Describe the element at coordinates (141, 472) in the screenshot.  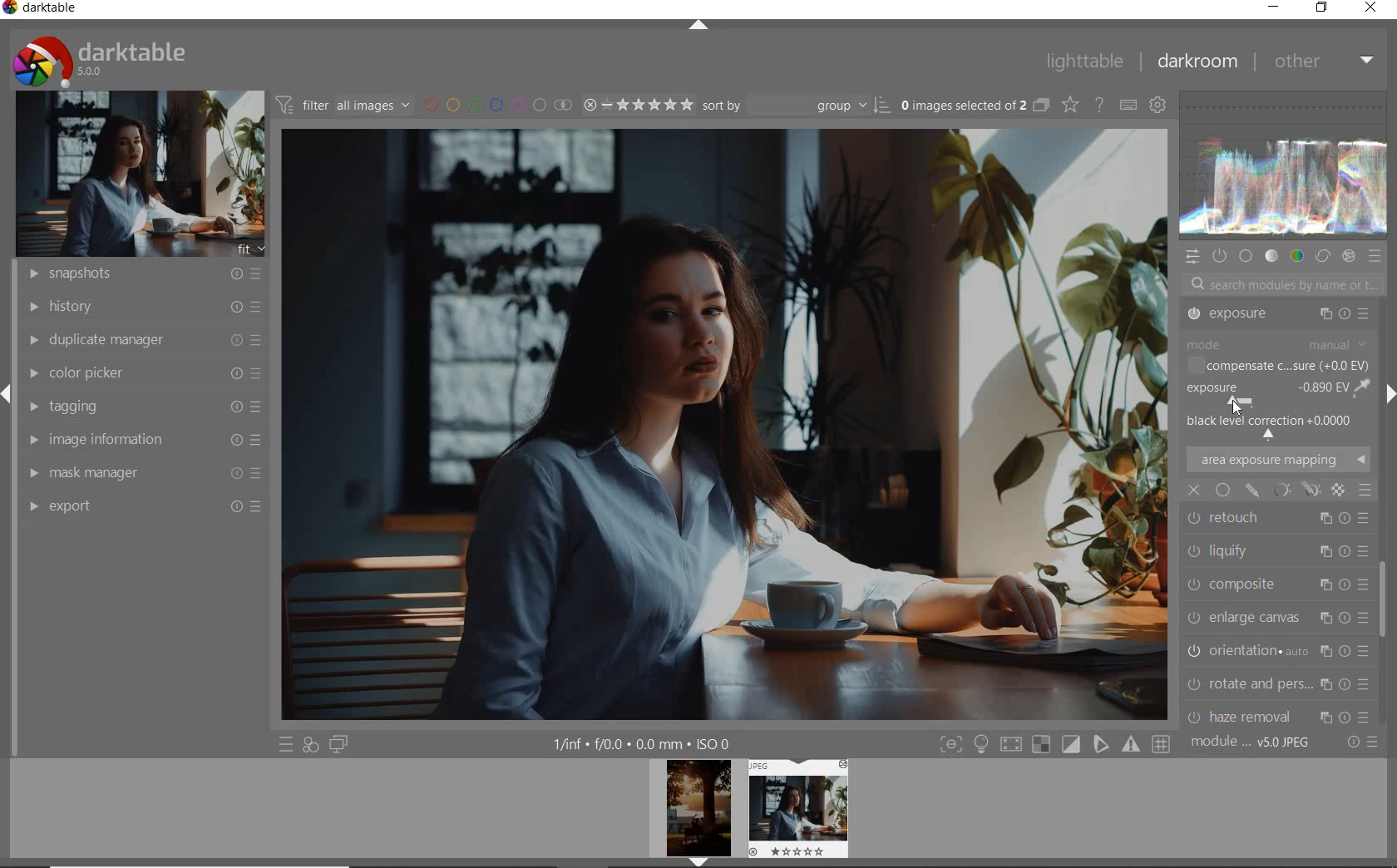
I see `MASK MANAGER` at that location.